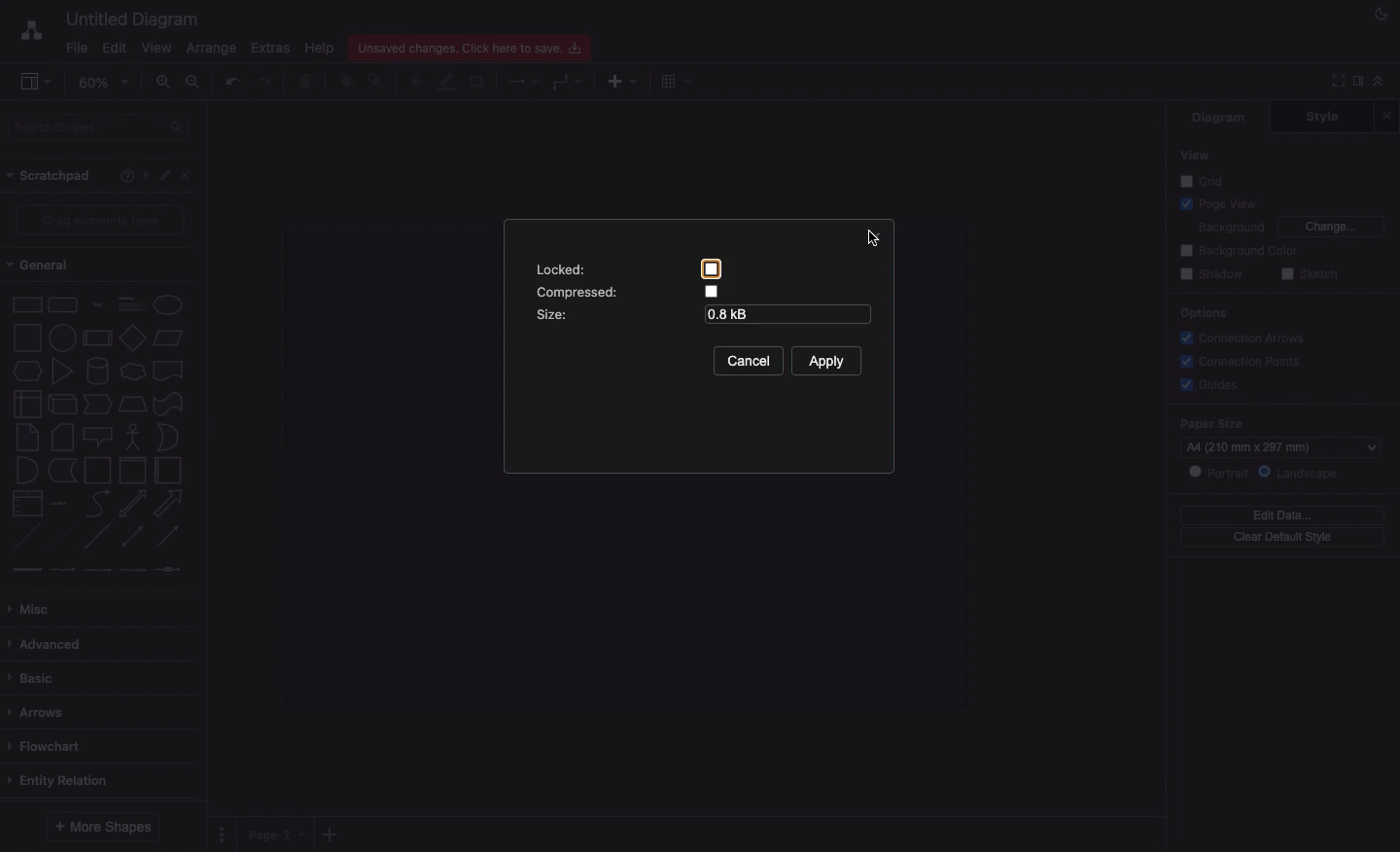 The height and width of the screenshot is (852, 1400). Describe the element at coordinates (1280, 422) in the screenshot. I see `Paper size` at that location.